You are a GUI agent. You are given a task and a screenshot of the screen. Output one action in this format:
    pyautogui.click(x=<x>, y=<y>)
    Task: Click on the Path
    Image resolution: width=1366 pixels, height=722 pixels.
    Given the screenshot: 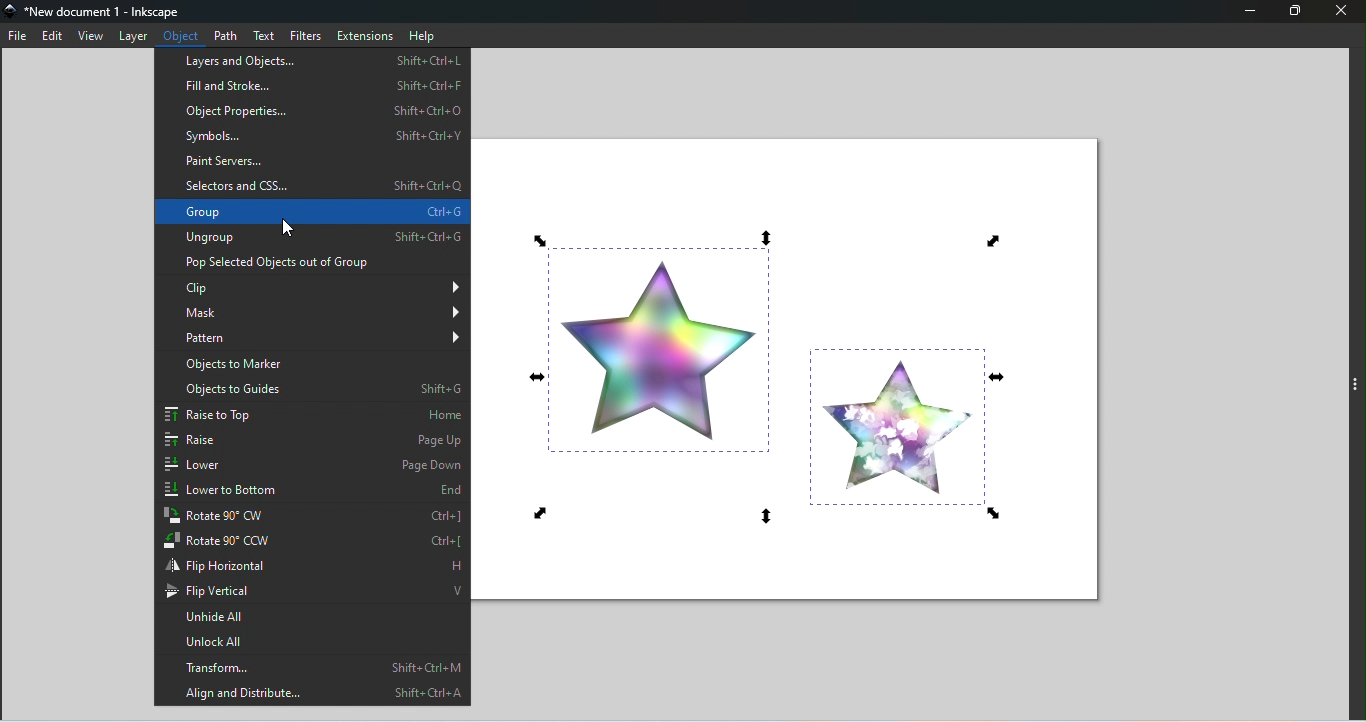 What is the action you would take?
    pyautogui.click(x=229, y=34)
    